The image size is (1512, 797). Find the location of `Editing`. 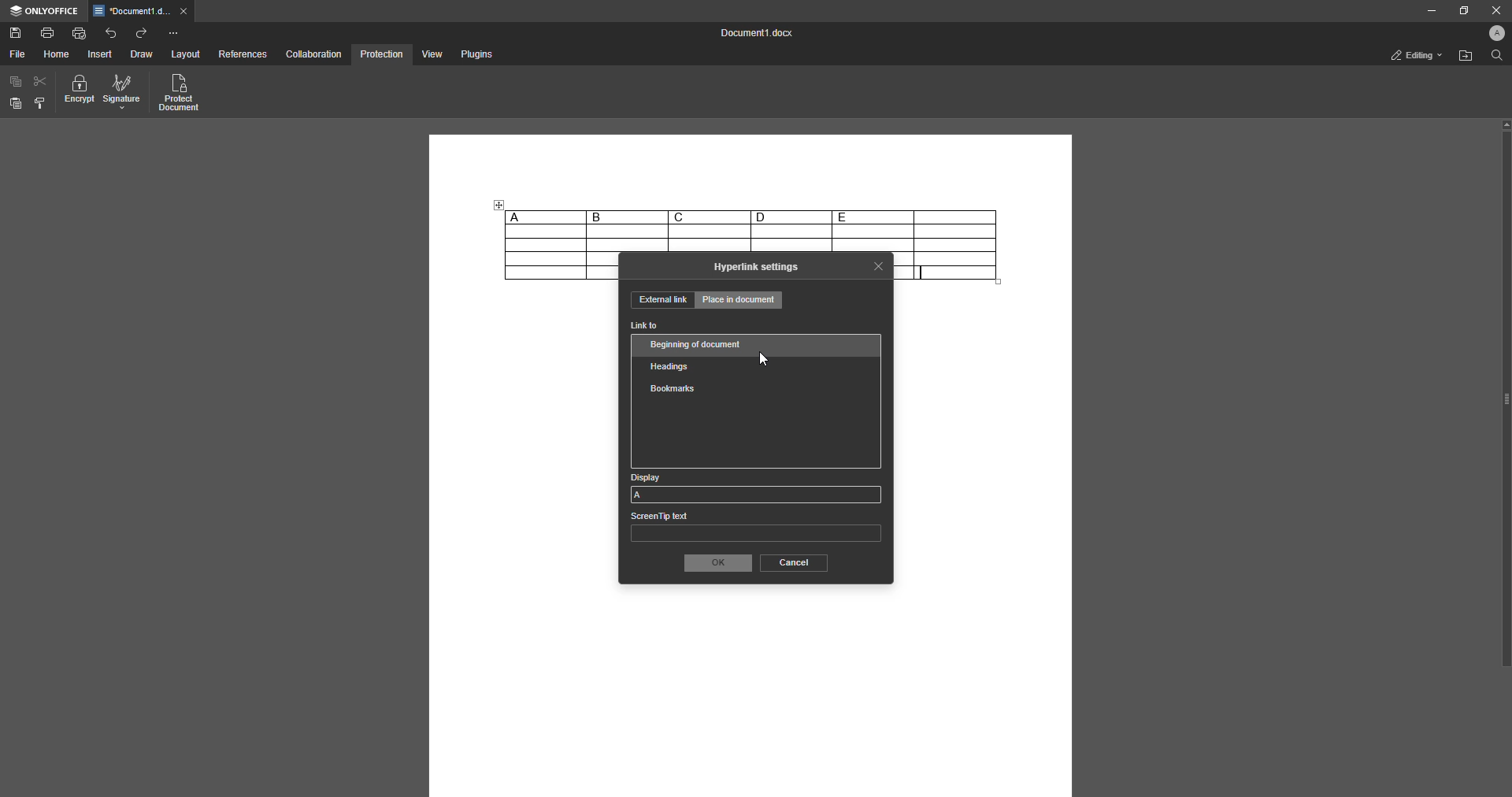

Editing is located at coordinates (1412, 55).